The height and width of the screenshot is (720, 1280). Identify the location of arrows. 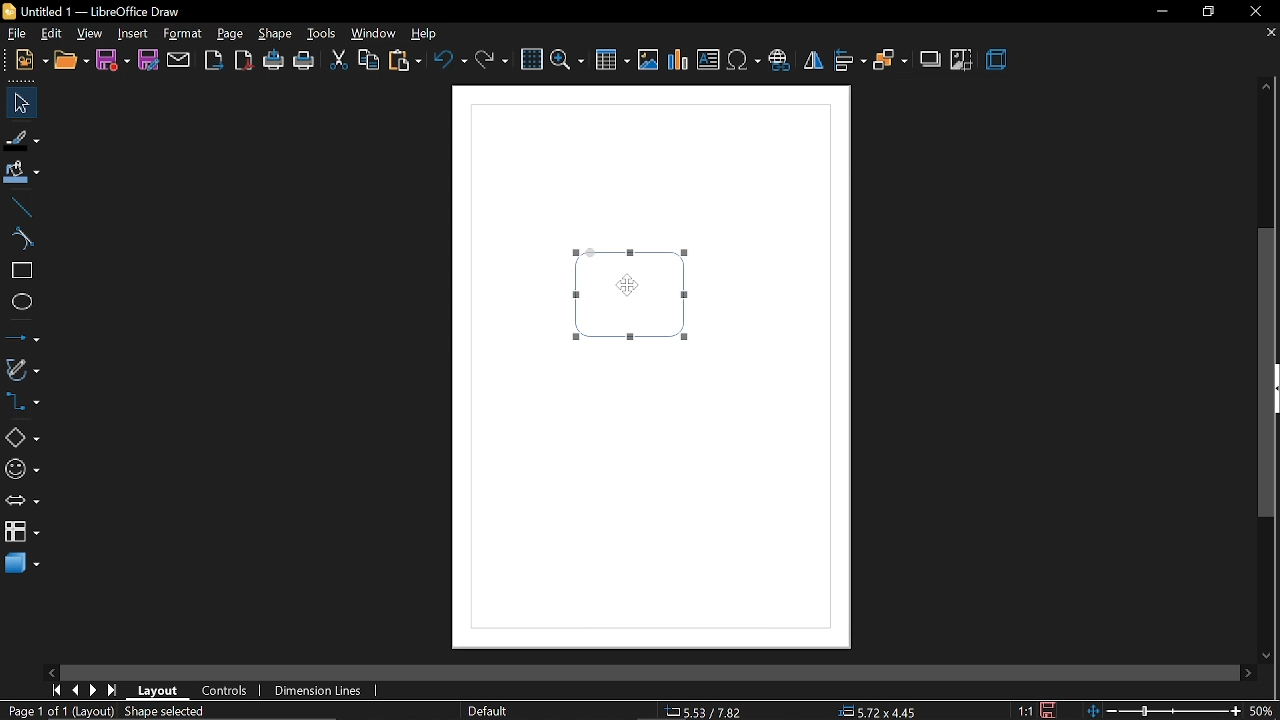
(21, 502).